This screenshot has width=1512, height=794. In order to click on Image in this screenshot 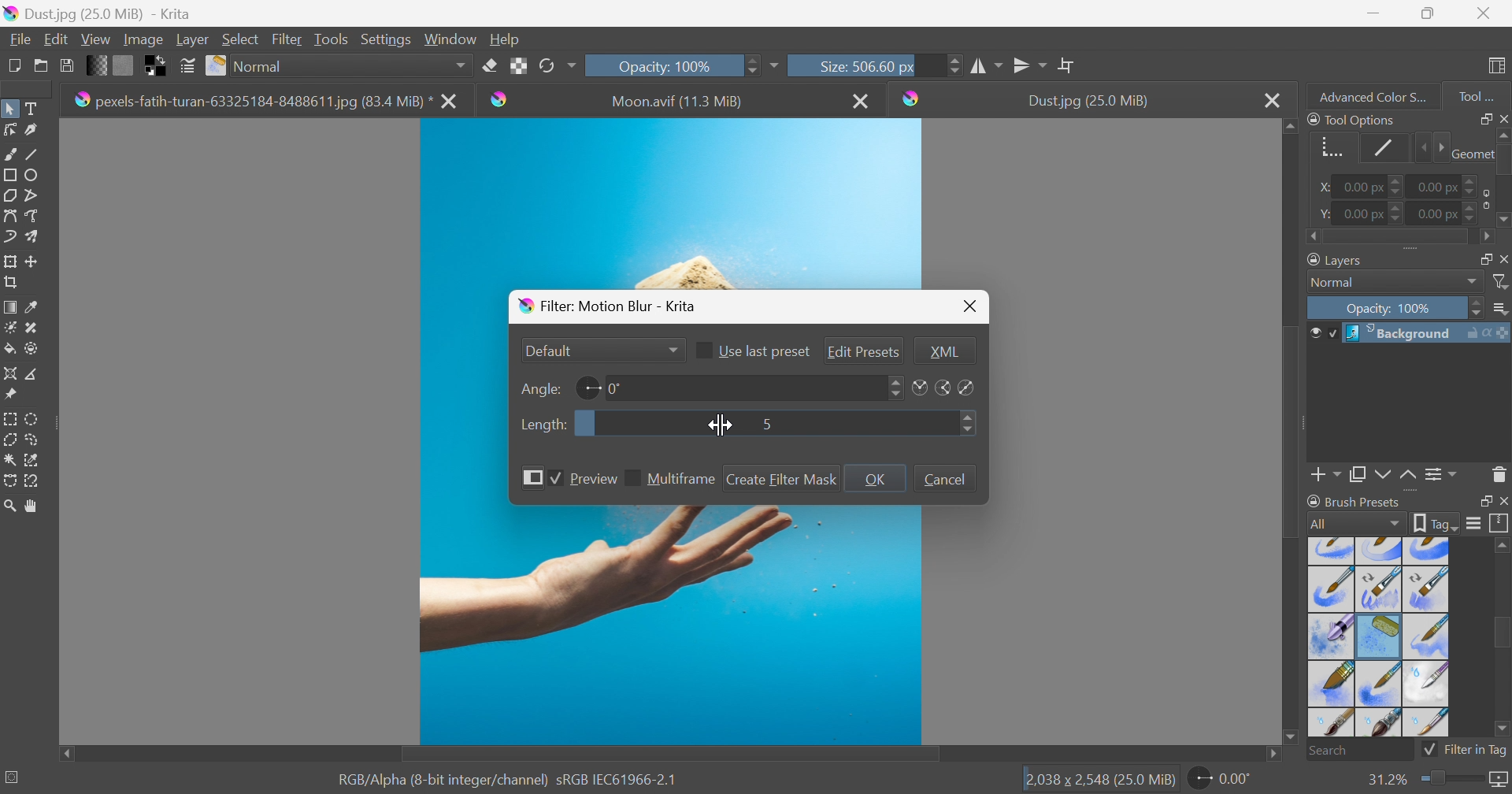, I will do `click(142, 39)`.